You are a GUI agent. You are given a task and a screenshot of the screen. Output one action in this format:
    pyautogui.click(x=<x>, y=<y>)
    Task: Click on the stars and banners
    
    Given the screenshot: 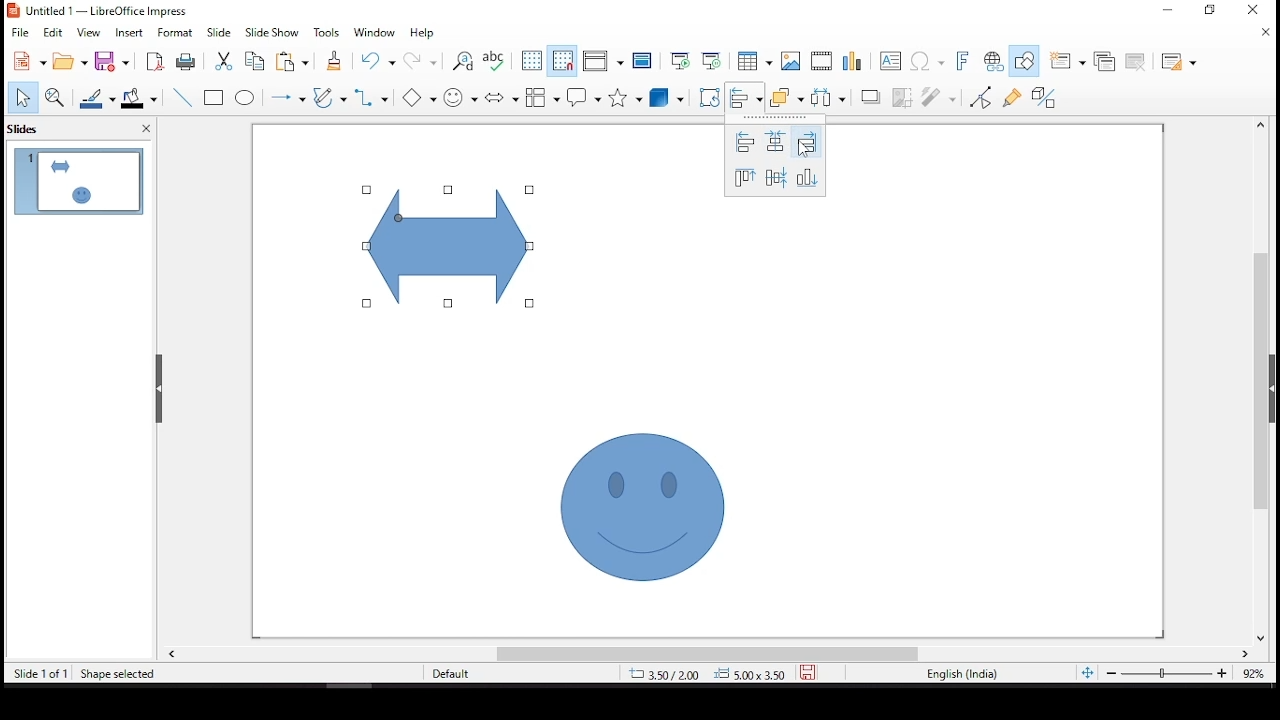 What is the action you would take?
    pyautogui.click(x=623, y=96)
    